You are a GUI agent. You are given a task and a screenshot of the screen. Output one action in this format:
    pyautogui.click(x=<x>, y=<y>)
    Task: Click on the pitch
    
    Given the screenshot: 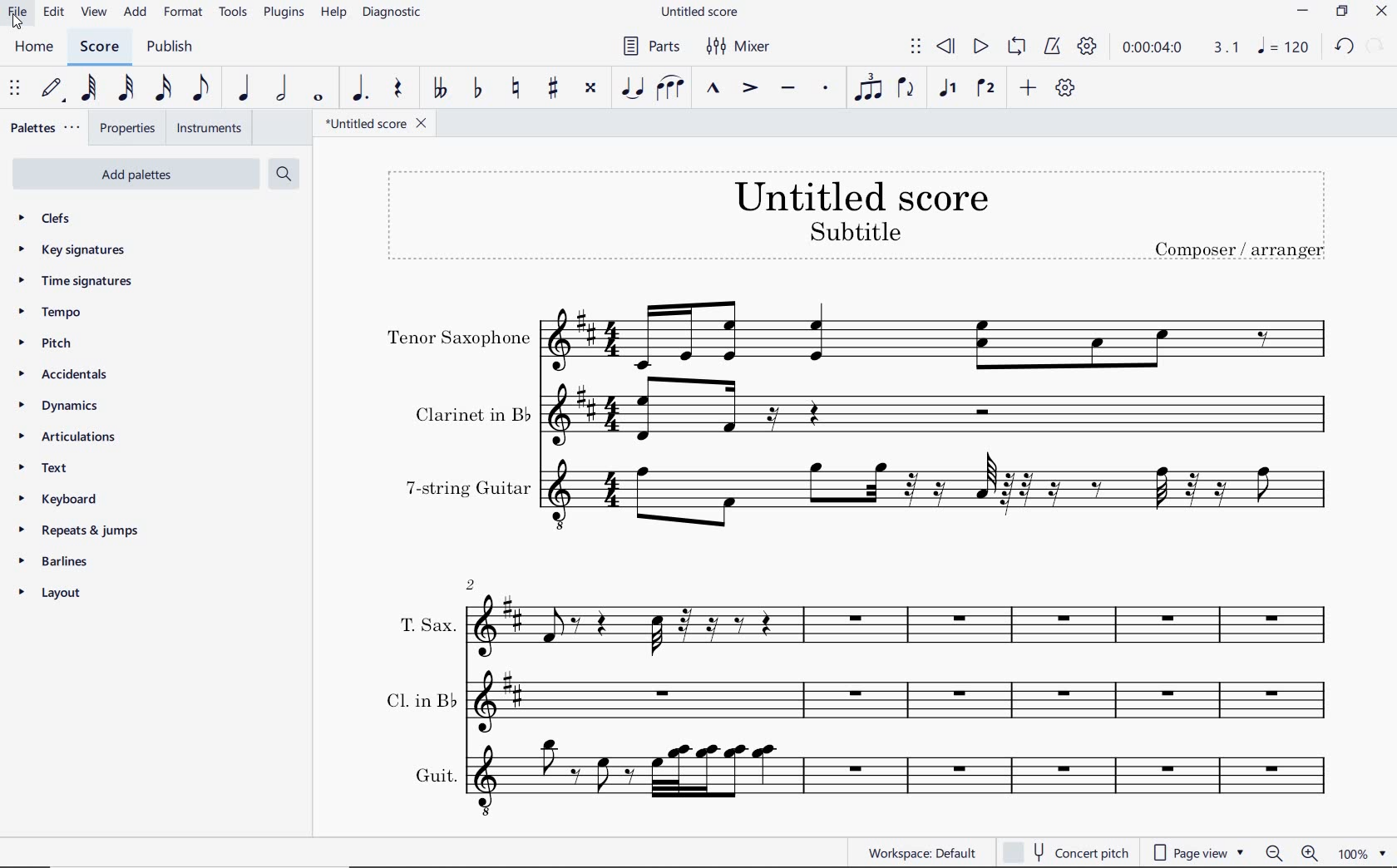 What is the action you would take?
    pyautogui.click(x=47, y=345)
    